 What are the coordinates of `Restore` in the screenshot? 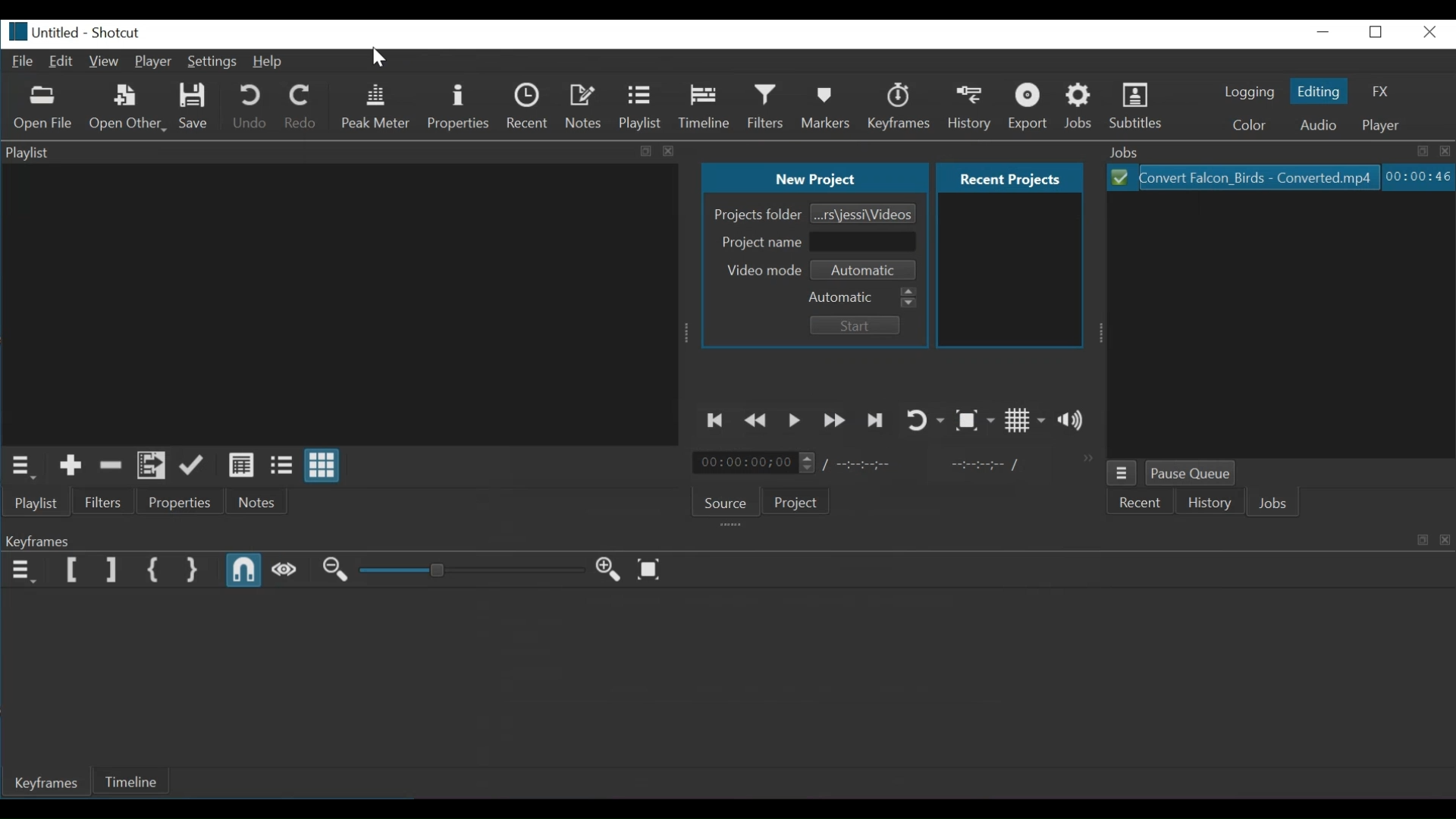 It's located at (1378, 35).